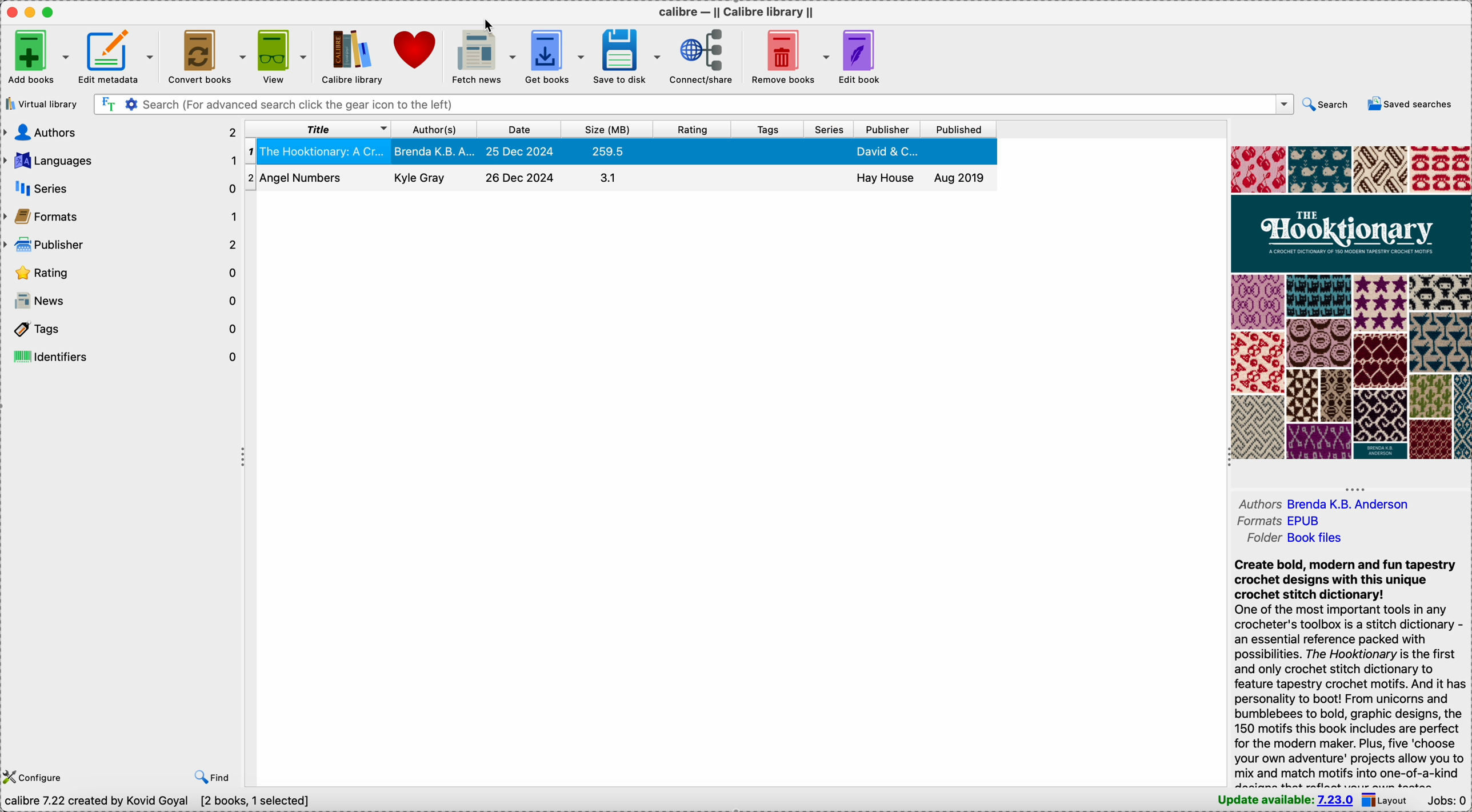 The height and width of the screenshot is (812, 1472). I want to click on Jobs: 0, so click(1447, 802).